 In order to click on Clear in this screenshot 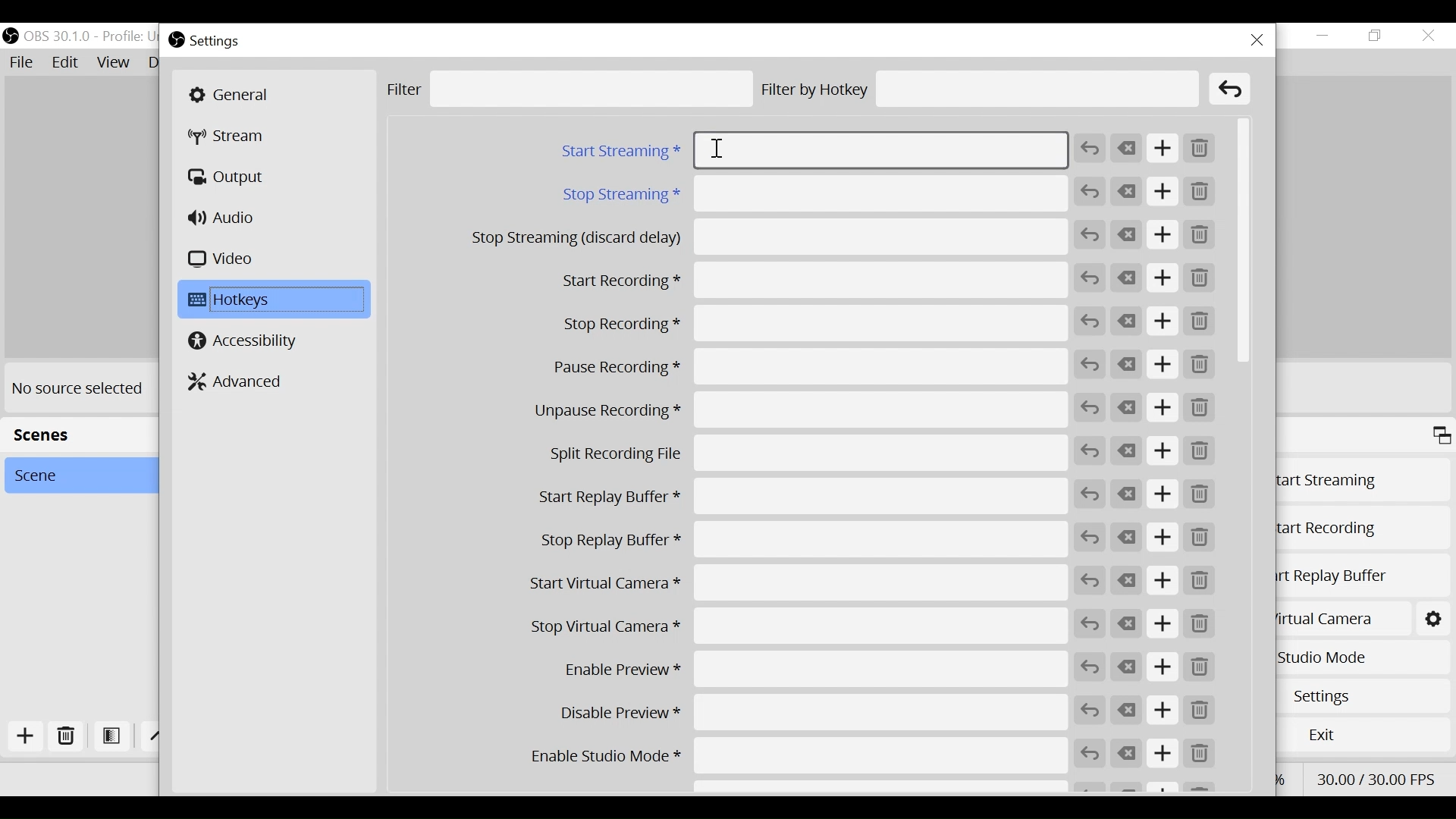, I will do `click(1126, 667)`.